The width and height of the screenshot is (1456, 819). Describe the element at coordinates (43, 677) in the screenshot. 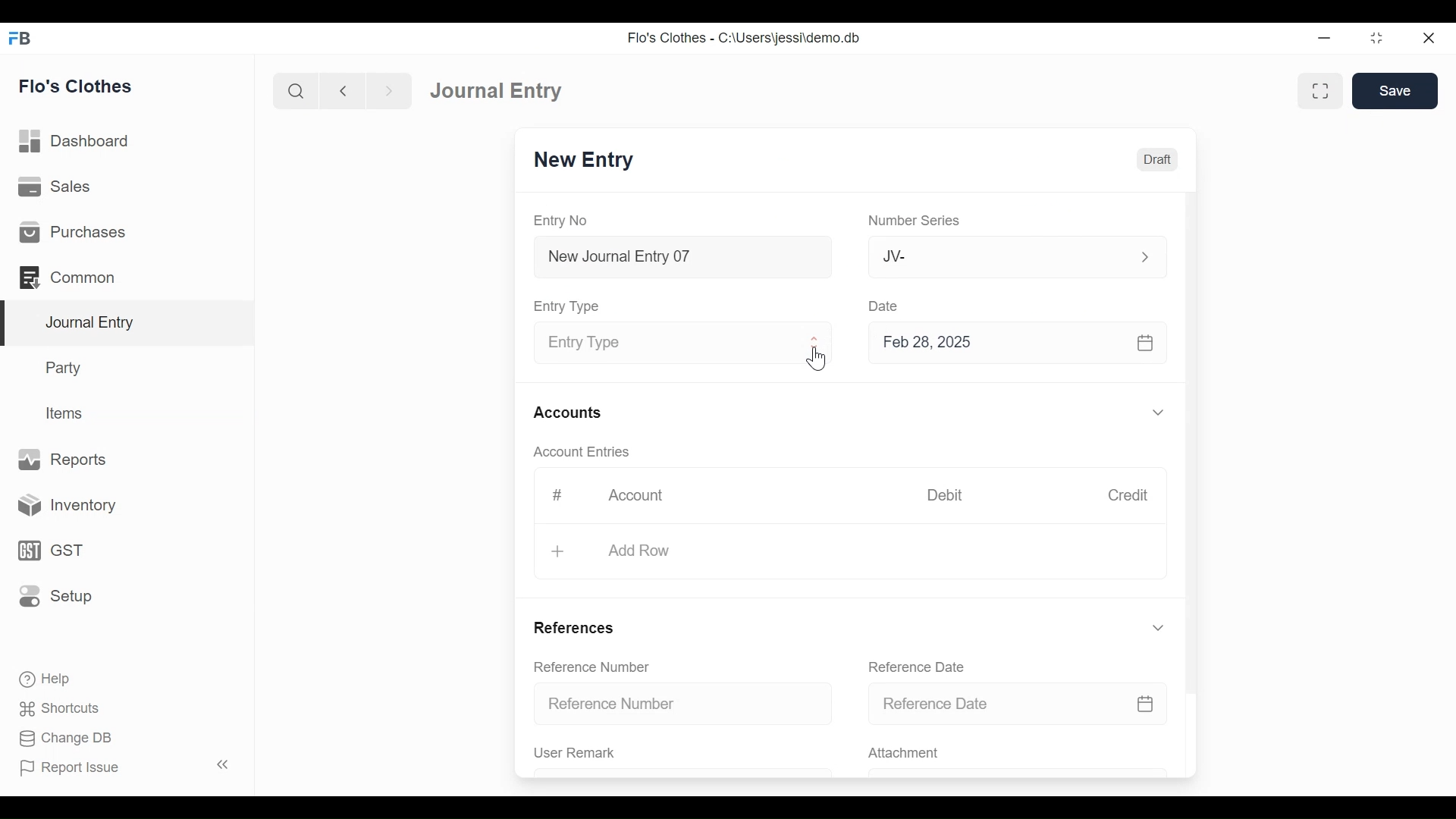

I see `Help` at that location.